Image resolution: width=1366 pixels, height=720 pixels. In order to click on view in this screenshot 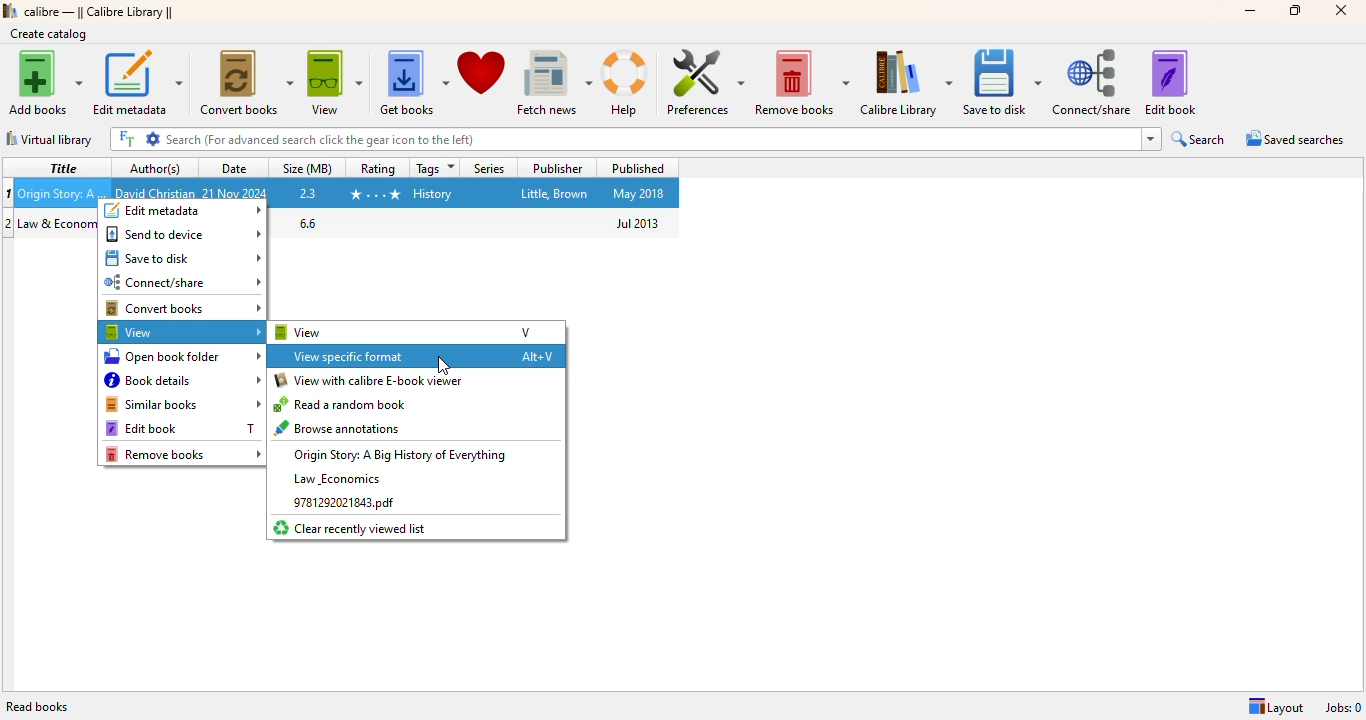, I will do `click(299, 332)`.